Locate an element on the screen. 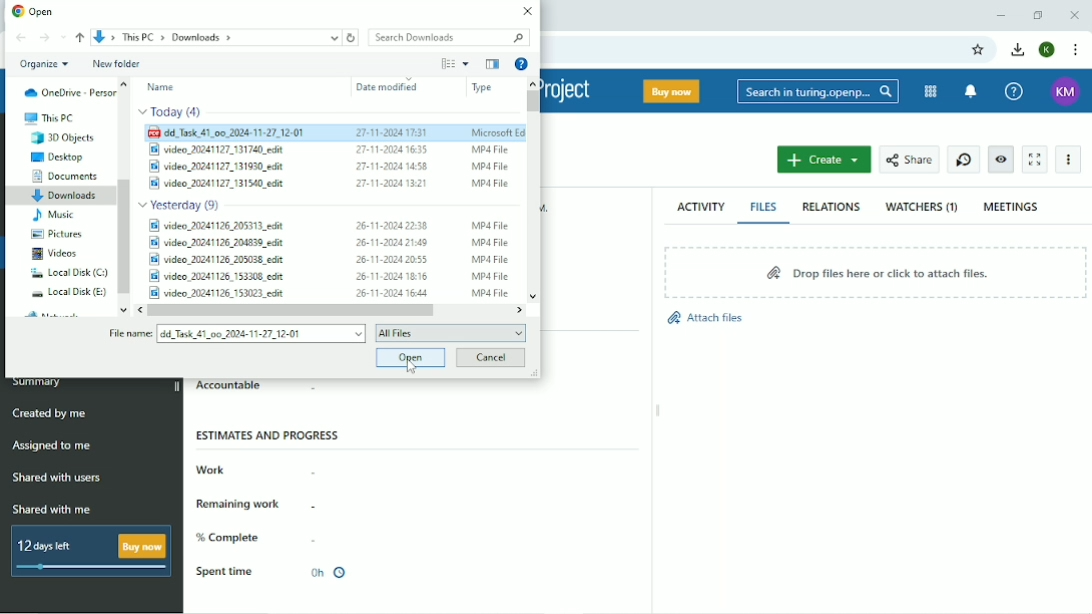  Refresh "Downloads" is located at coordinates (352, 37).